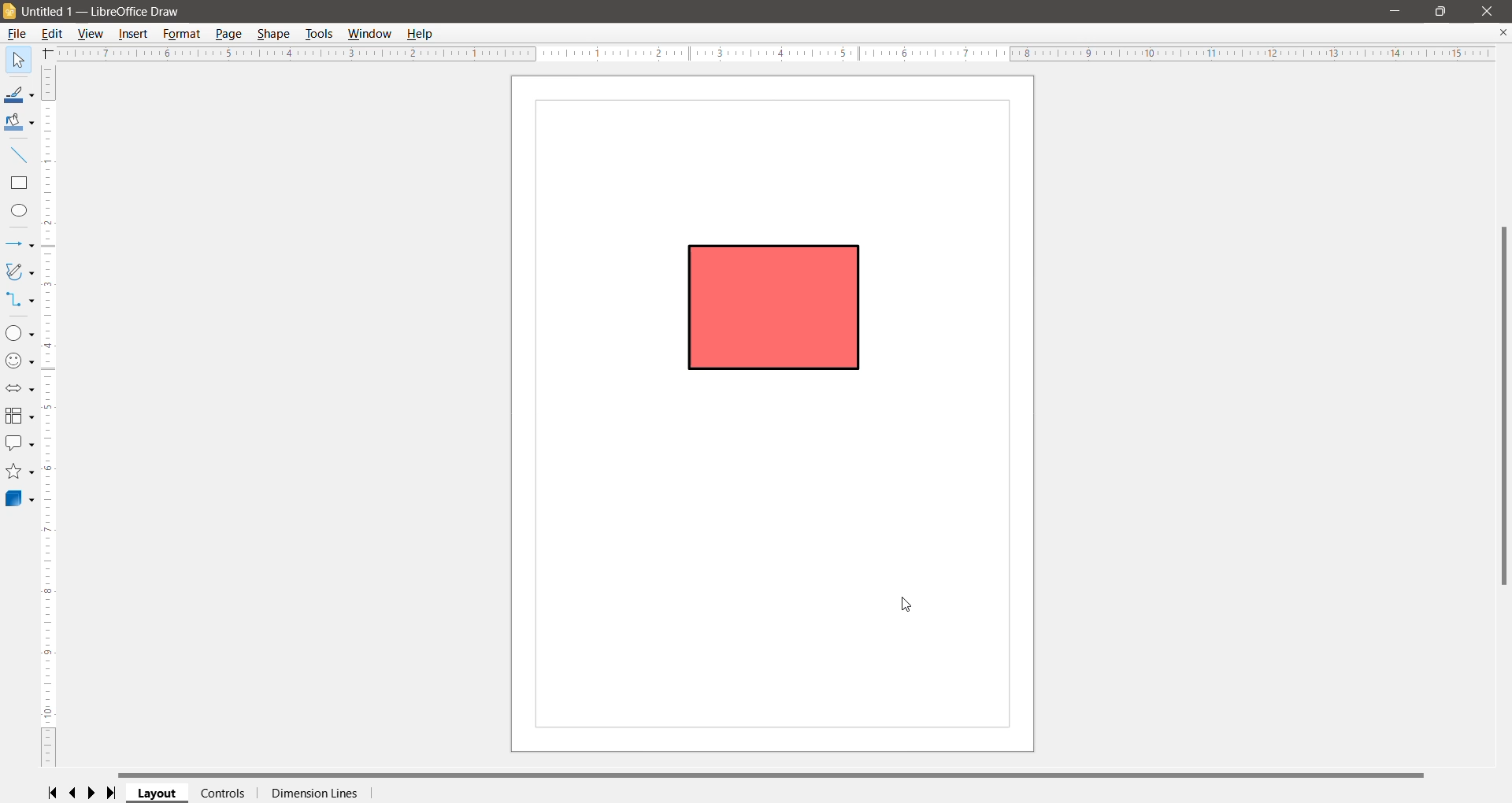 This screenshot has height=803, width=1512. I want to click on Fill Color, so click(20, 124).